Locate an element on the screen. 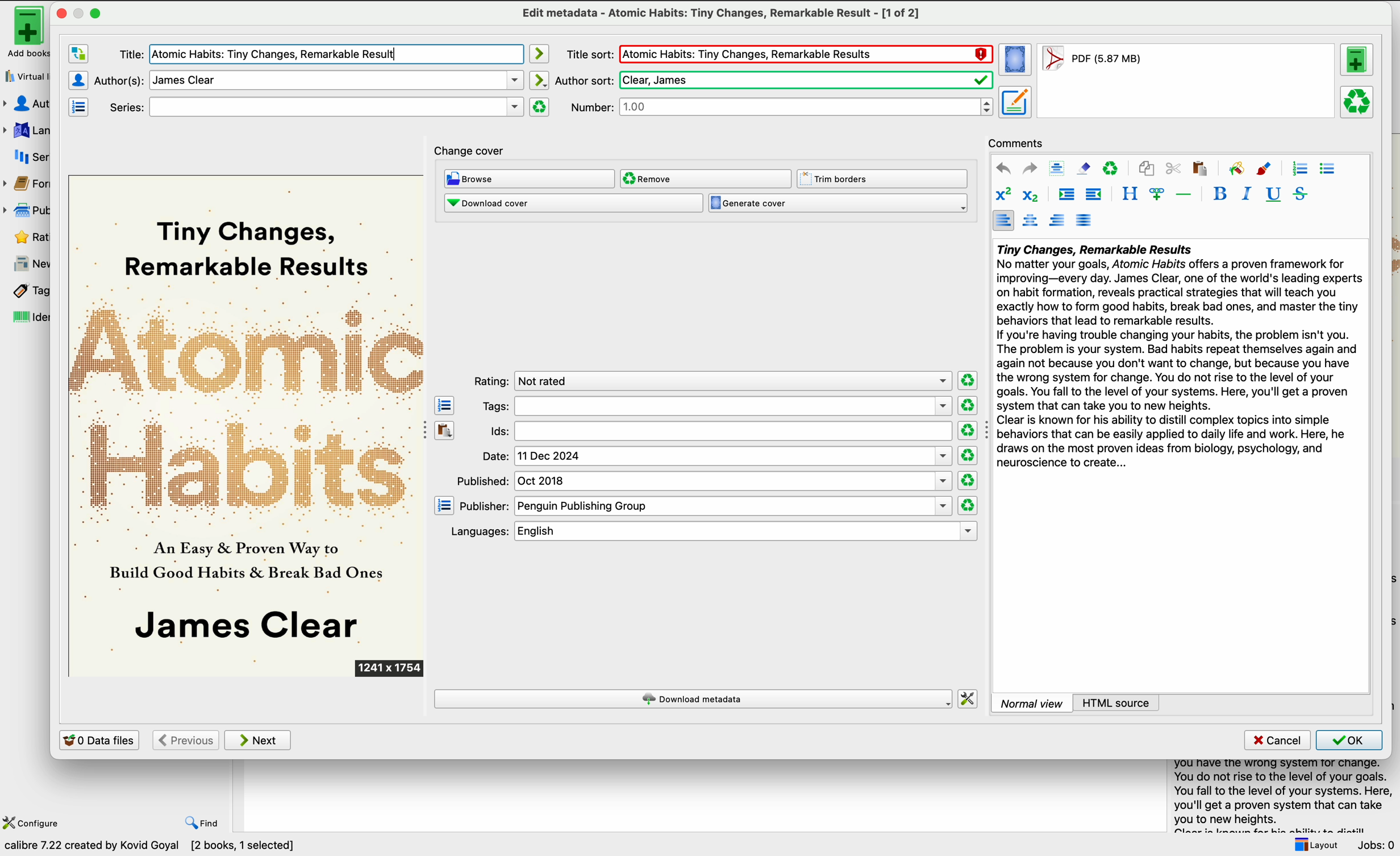 The width and height of the screenshot is (1400, 856). normal view is located at coordinates (1032, 703).